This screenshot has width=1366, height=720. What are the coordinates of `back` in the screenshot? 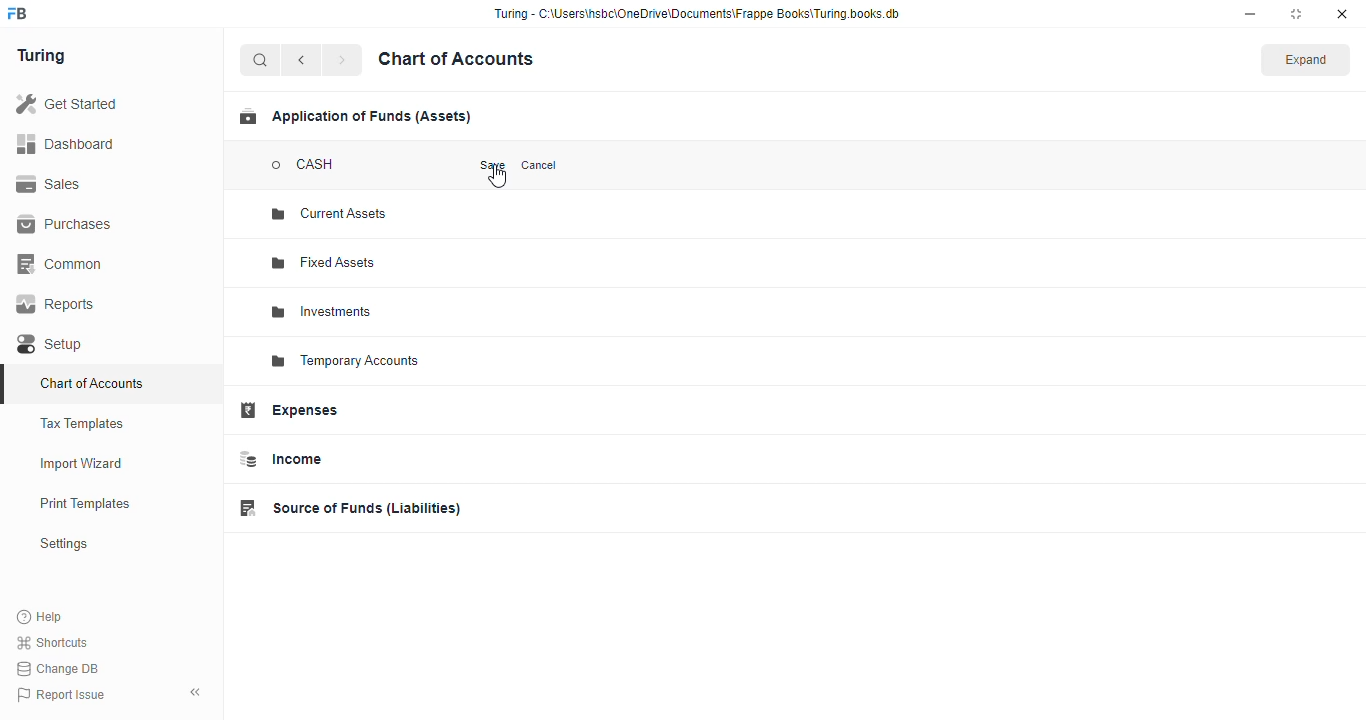 It's located at (301, 60).